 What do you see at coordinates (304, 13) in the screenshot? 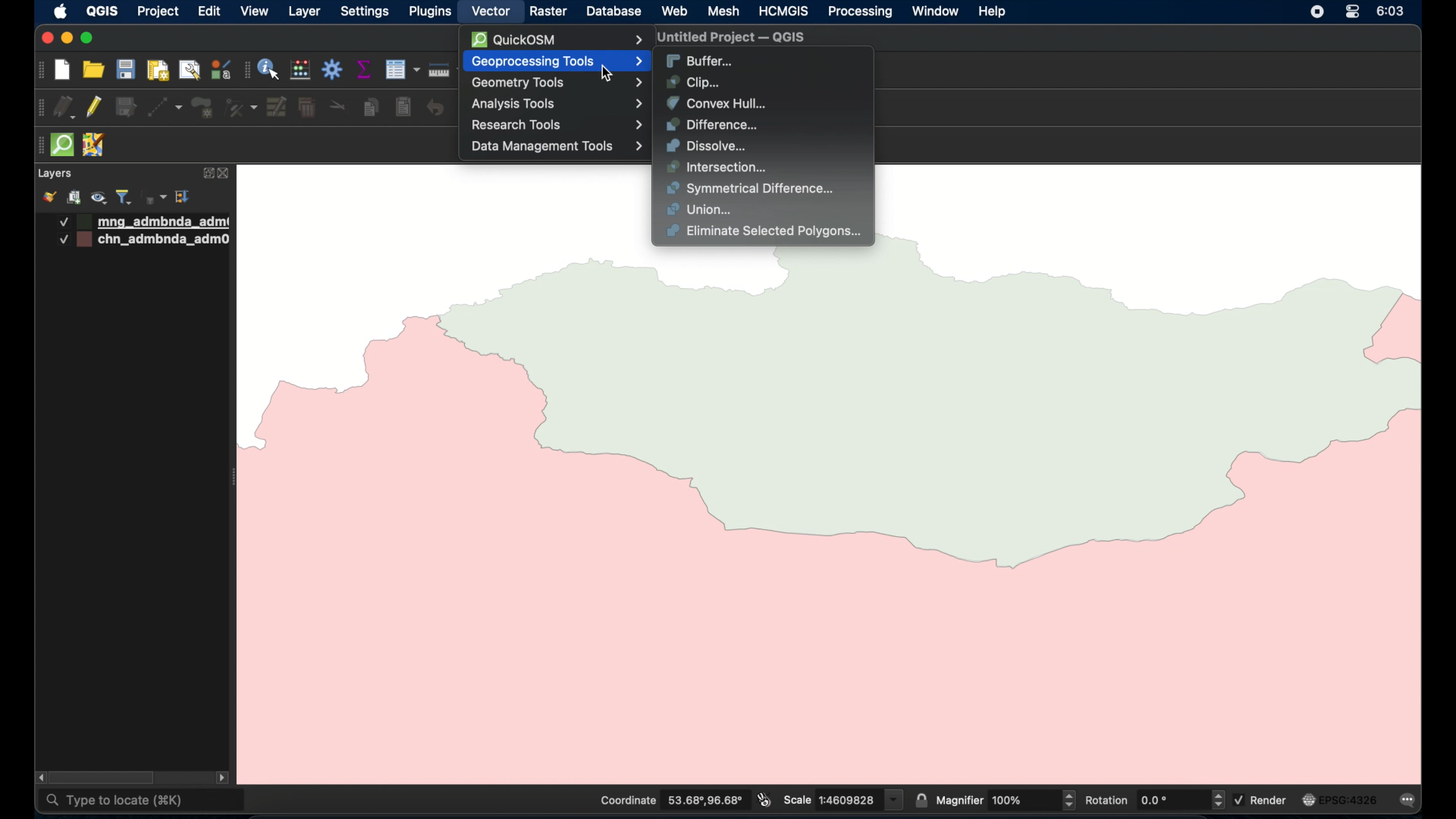
I see `layer` at bounding box center [304, 13].